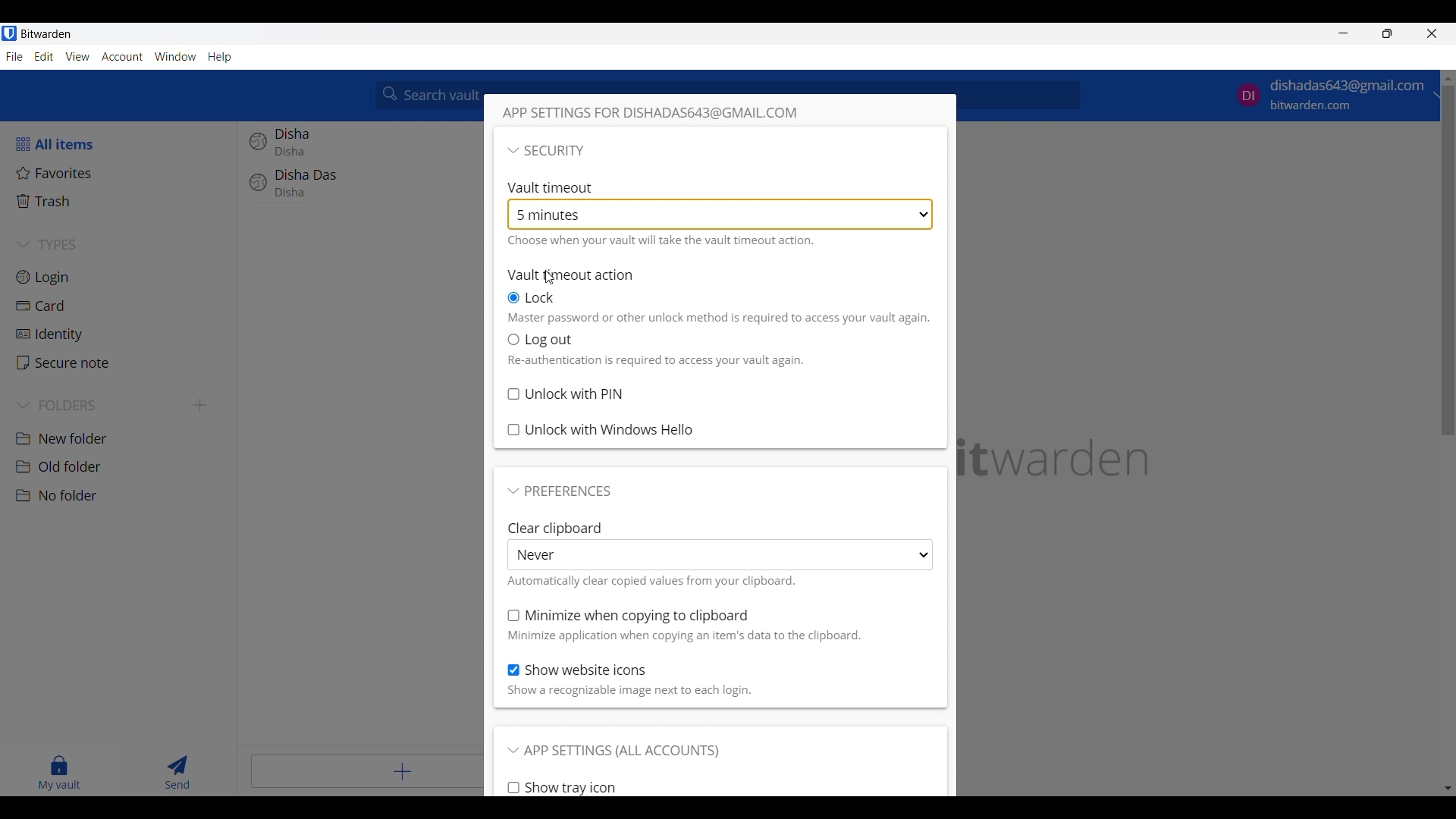 The width and height of the screenshot is (1456, 819). I want to click on Card, so click(122, 306).